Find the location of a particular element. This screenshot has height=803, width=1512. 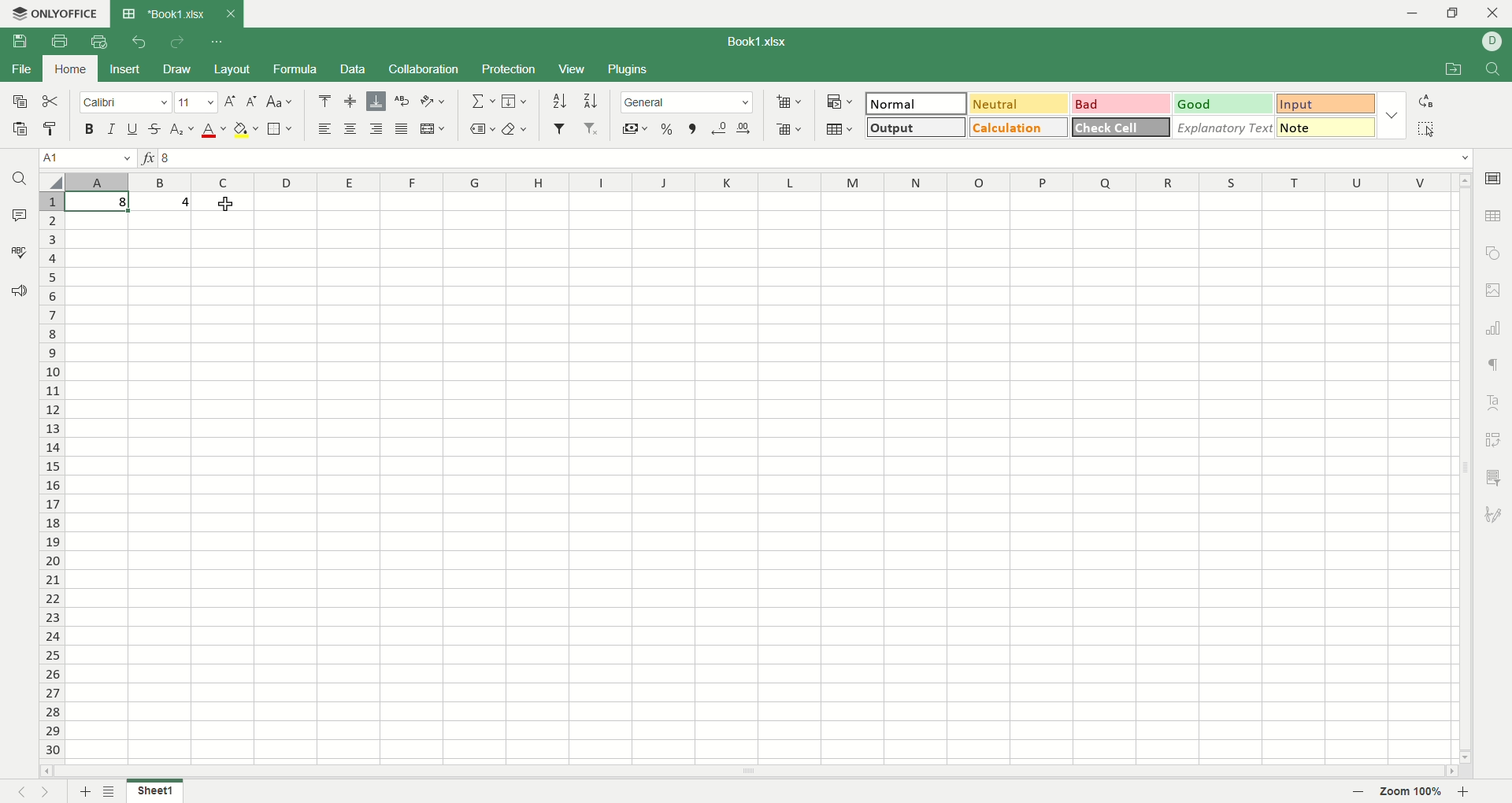

layout is located at coordinates (232, 69).